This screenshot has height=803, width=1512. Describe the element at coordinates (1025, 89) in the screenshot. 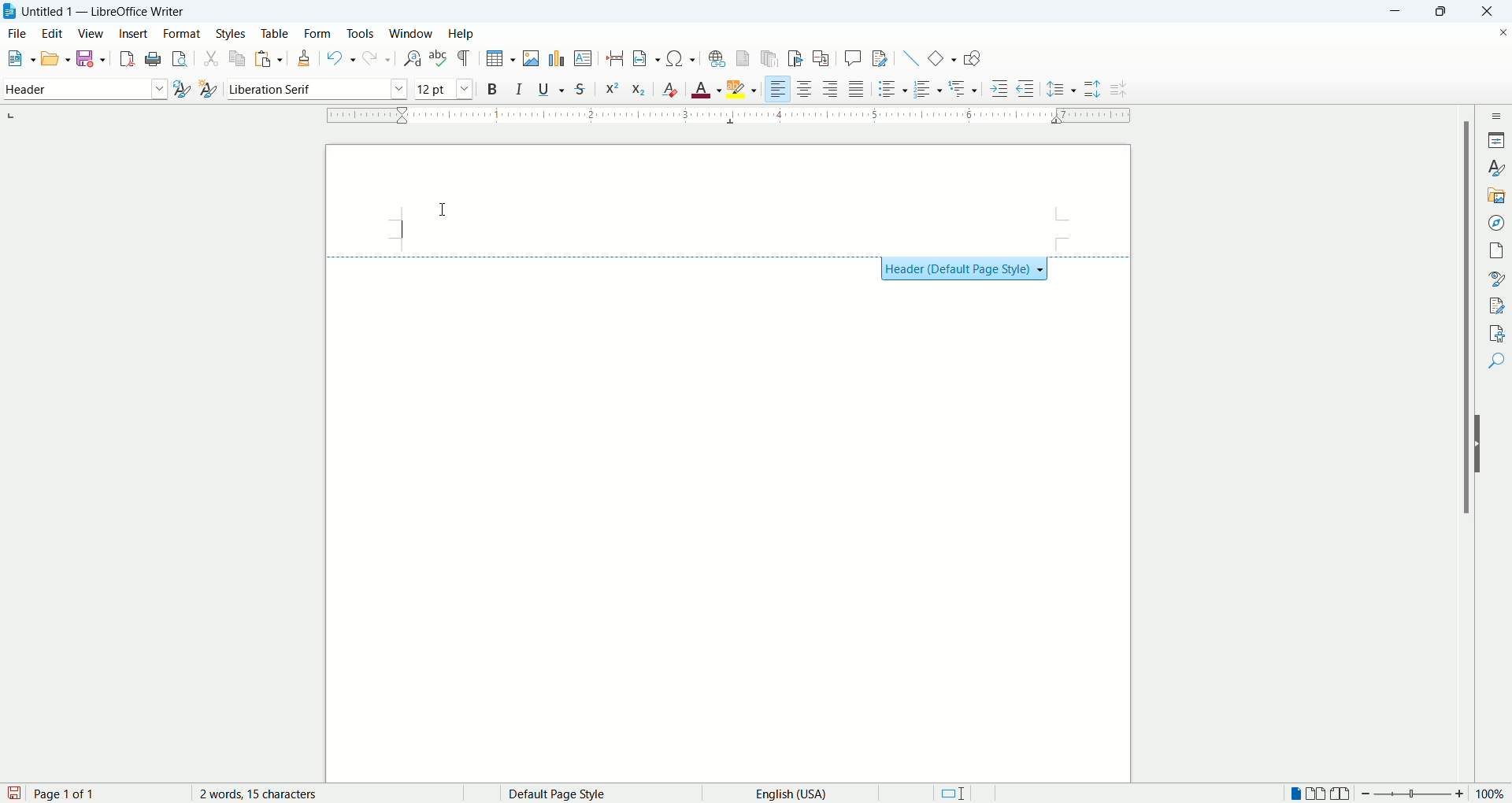

I see `decrease indent` at that location.